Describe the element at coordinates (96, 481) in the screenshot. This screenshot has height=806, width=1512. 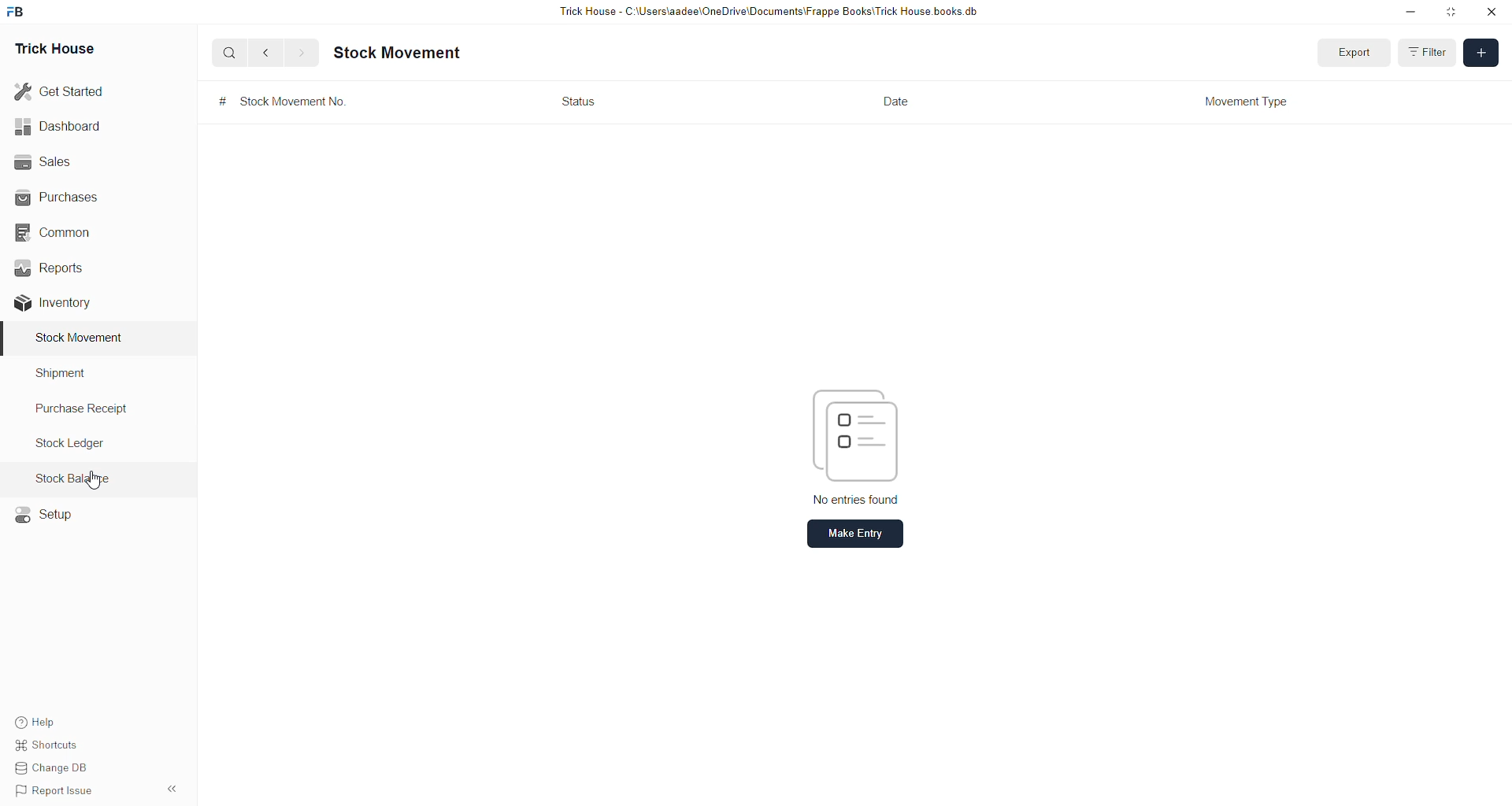
I see `Cursor` at that location.